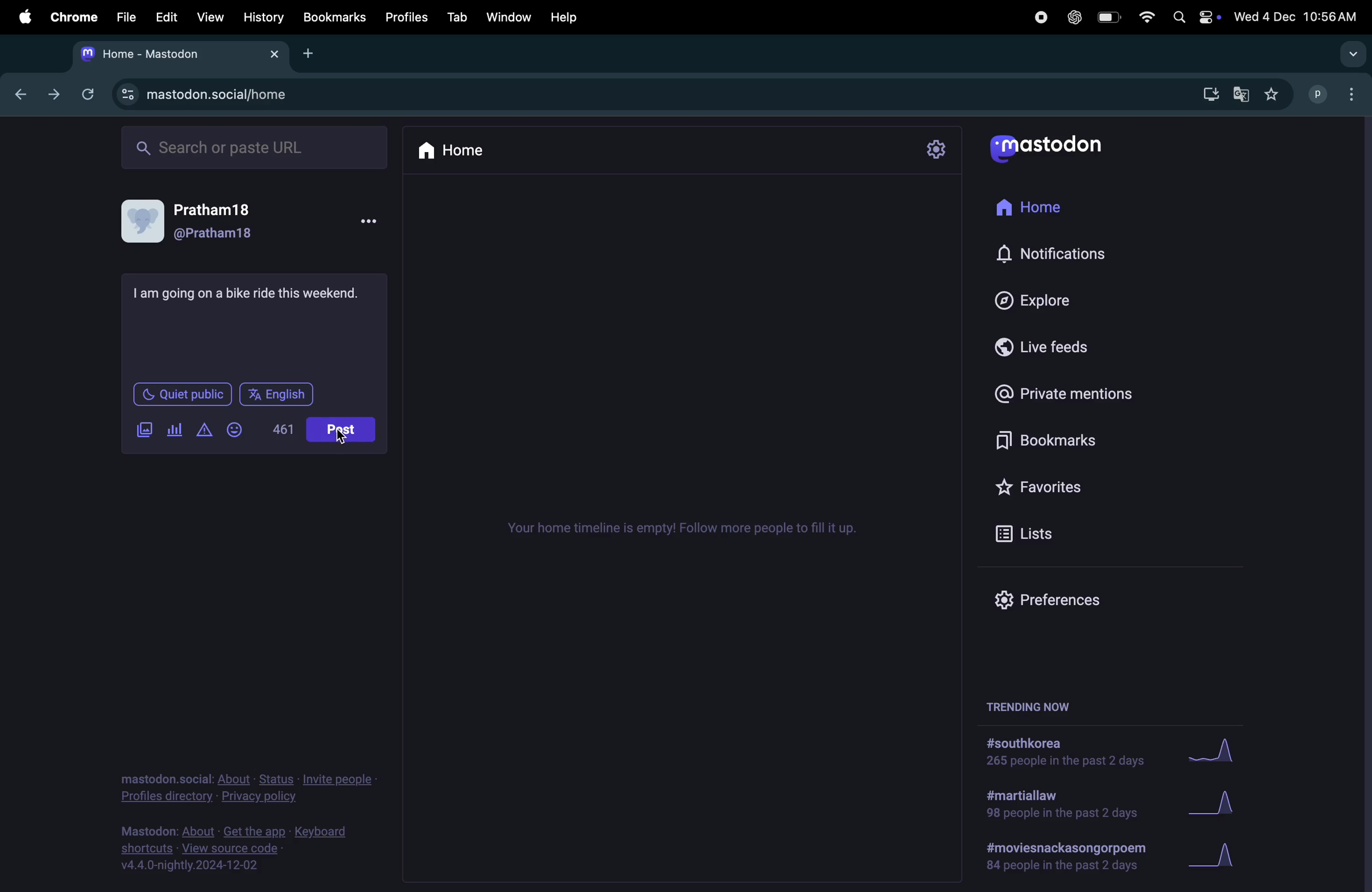 The image size is (1372, 892). What do you see at coordinates (1297, 14) in the screenshot?
I see `date and time` at bounding box center [1297, 14].